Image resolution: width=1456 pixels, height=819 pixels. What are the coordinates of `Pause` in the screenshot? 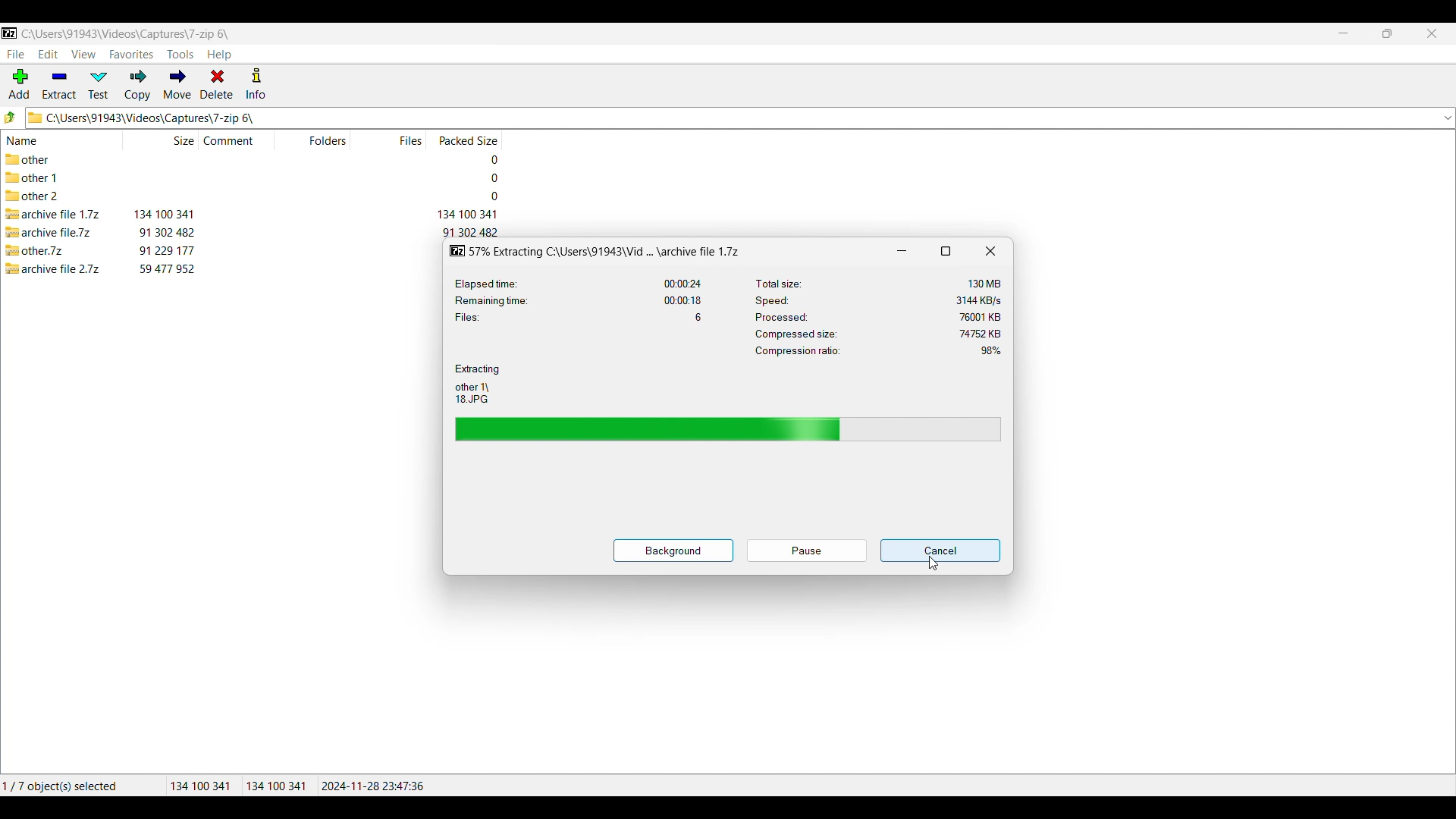 It's located at (807, 551).